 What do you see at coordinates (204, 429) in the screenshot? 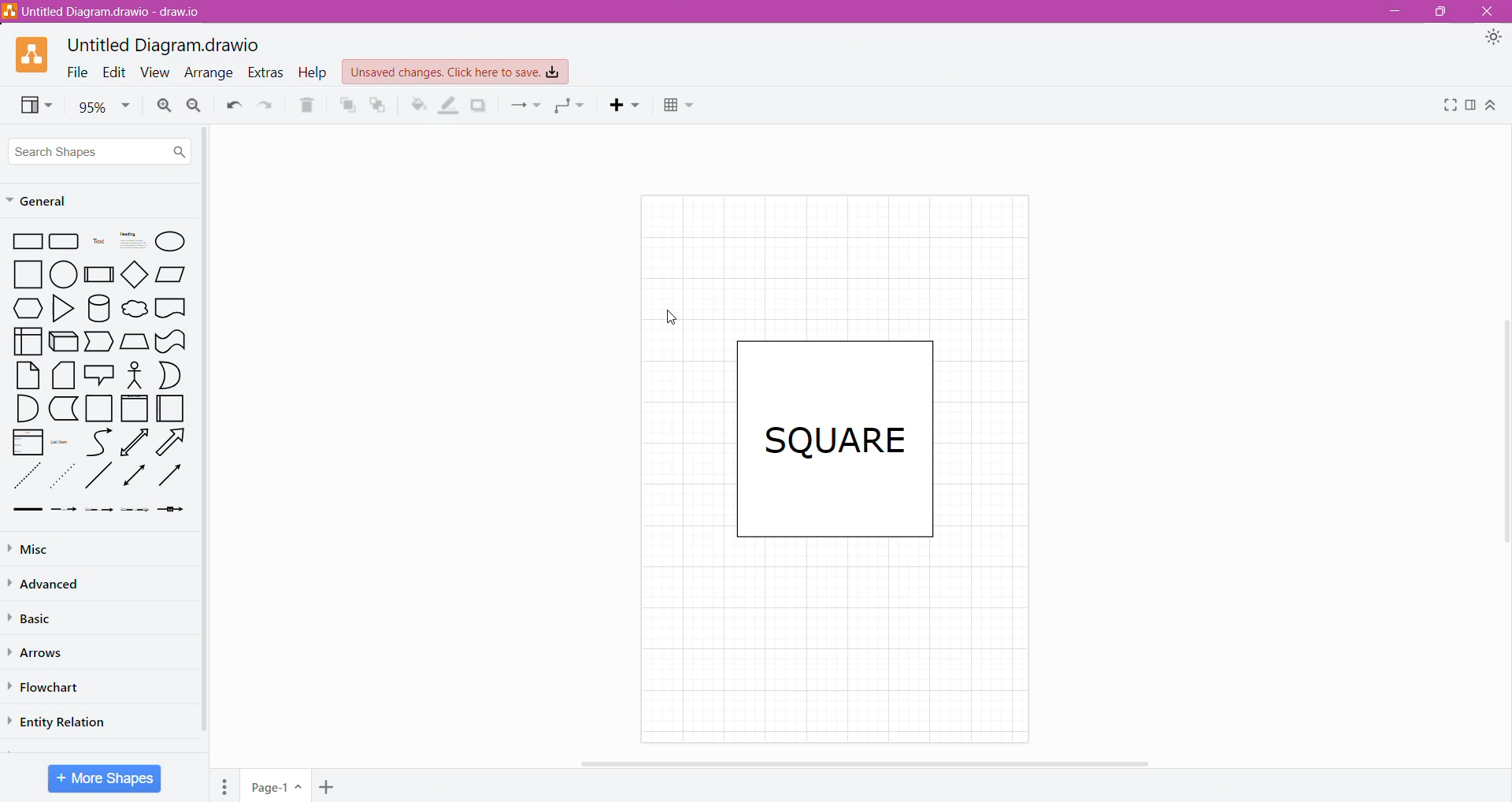
I see `Vertical Scroll Bar` at bounding box center [204, 429].